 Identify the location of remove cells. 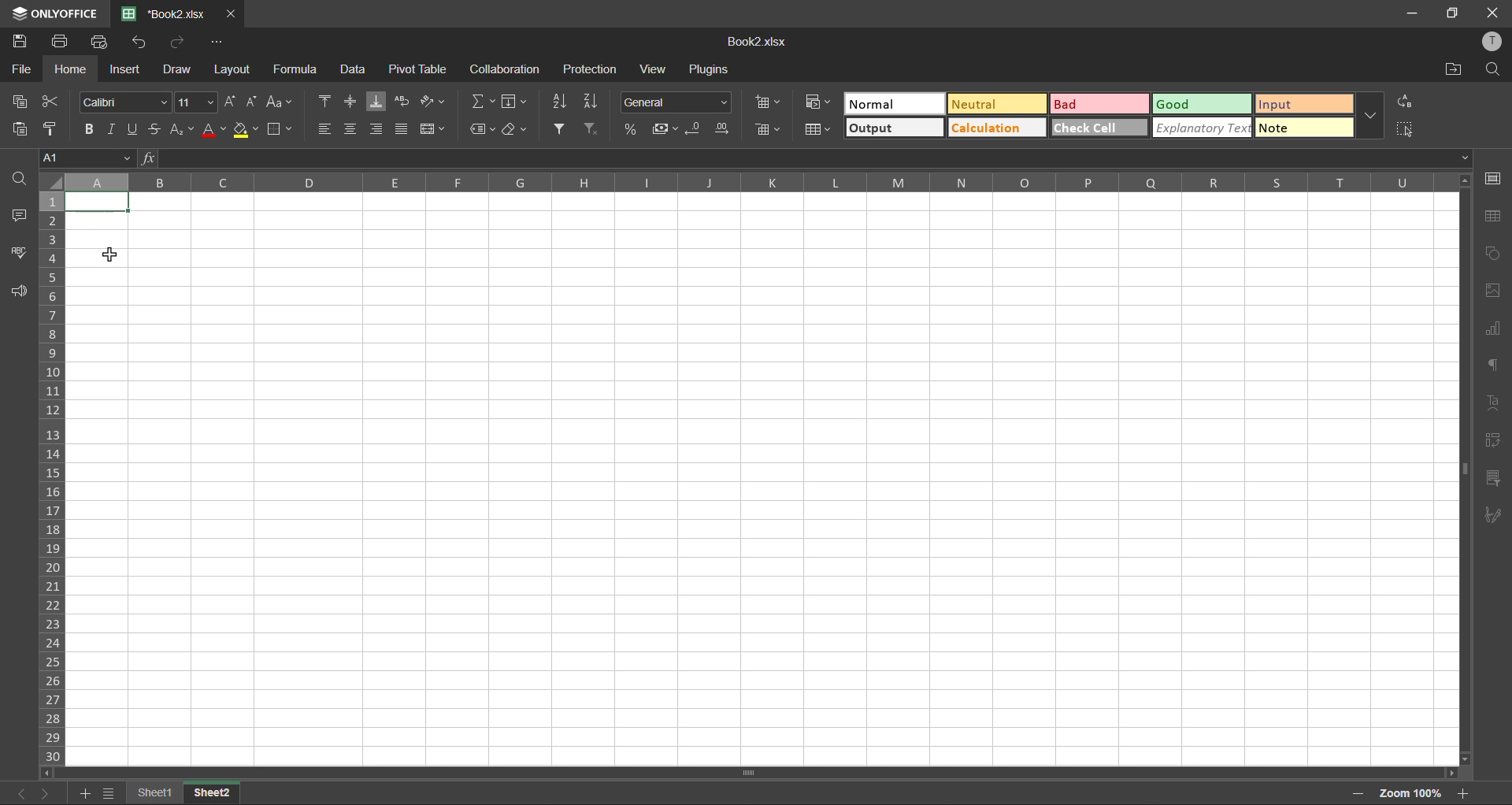
(773, 131).